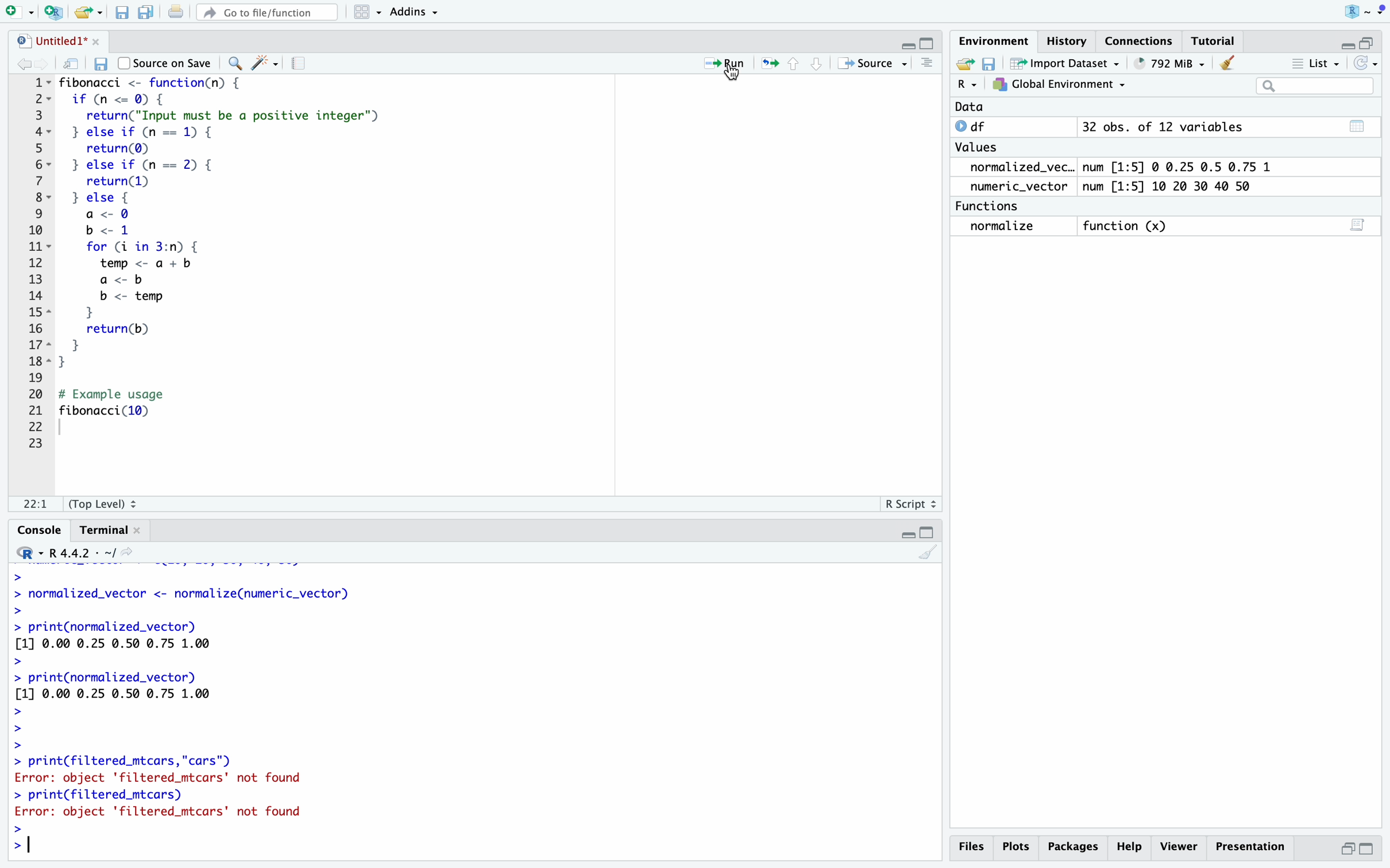 The height and width of the screenshot is (868, 1390). What do you see at coordinates (903, 530) in the screenshot?
I see `minimize` at bounding box center [903, 530].